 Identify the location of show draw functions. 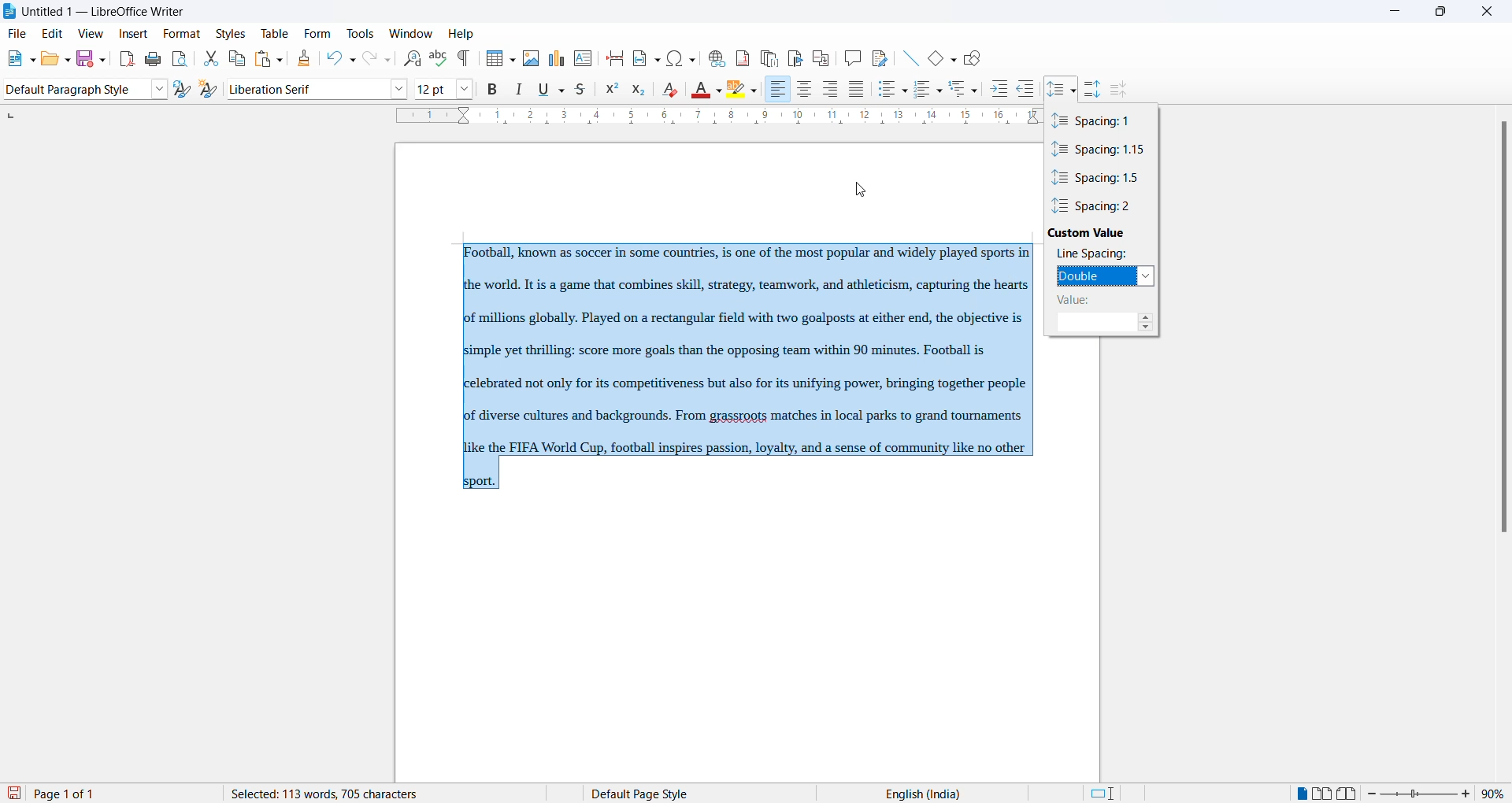
(976, 60).